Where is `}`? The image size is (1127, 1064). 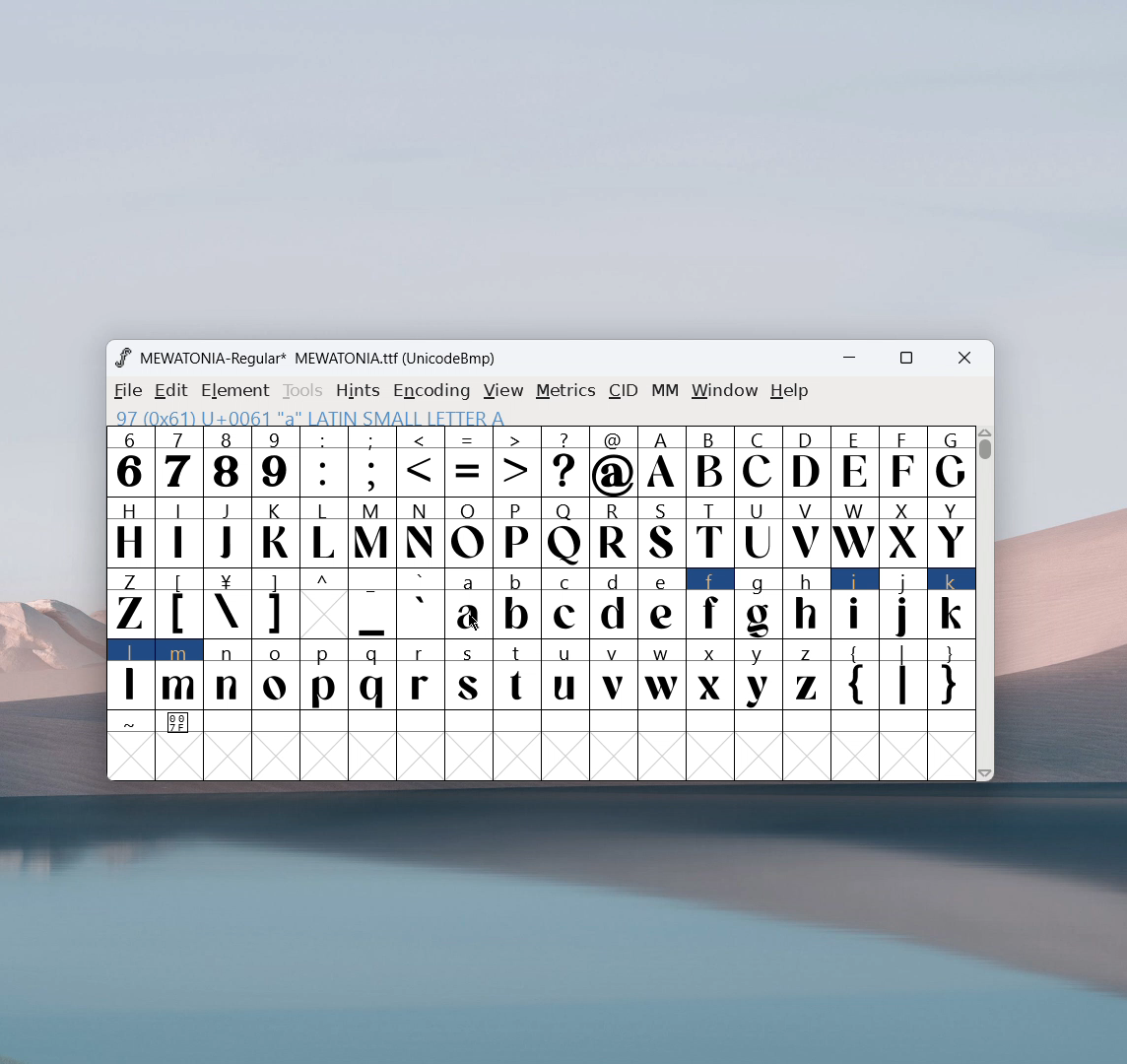
} is located at coordinates (953, 677).